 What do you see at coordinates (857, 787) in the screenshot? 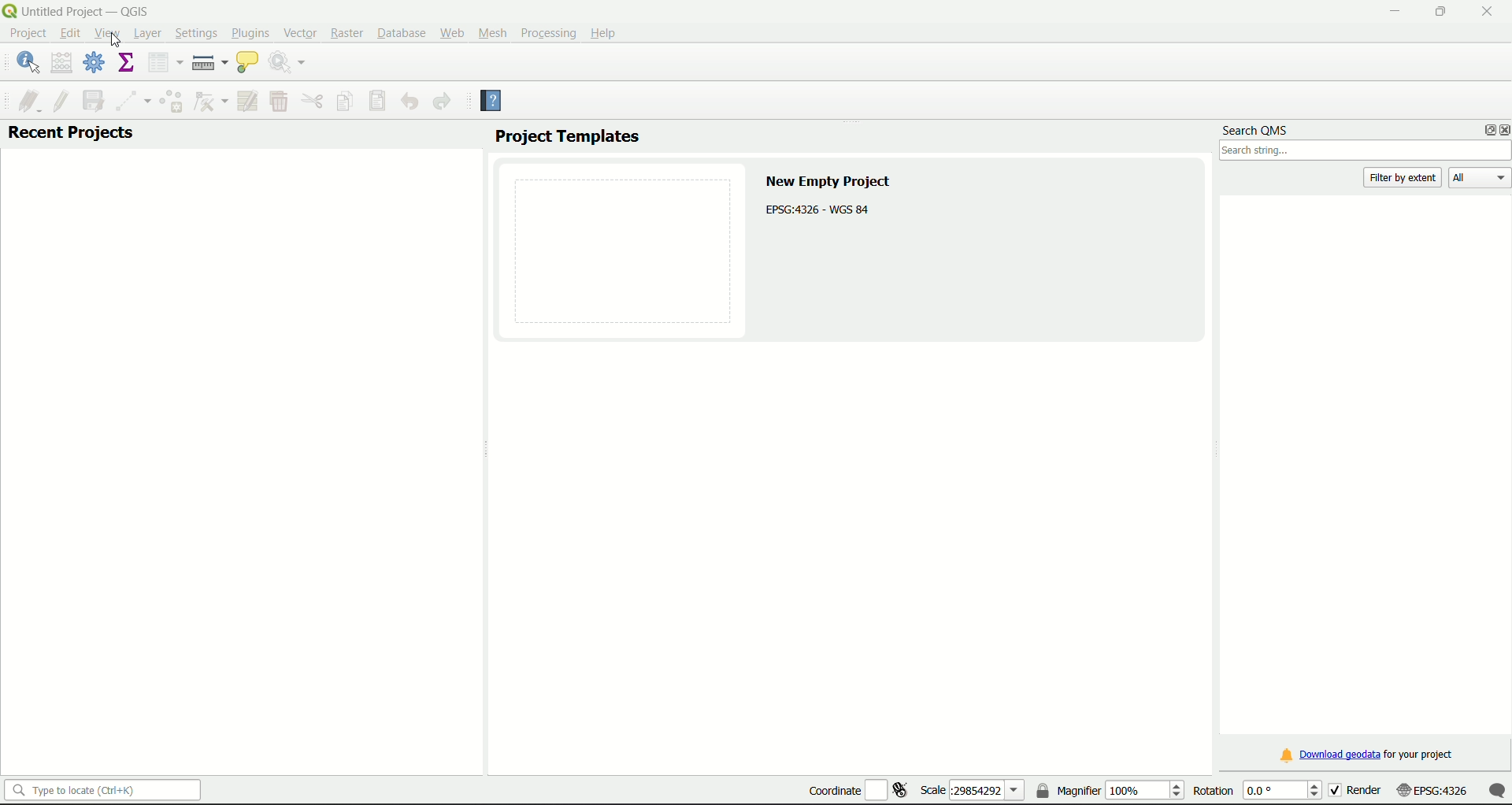
I see `coordinate` at bounding box center [857, 787].